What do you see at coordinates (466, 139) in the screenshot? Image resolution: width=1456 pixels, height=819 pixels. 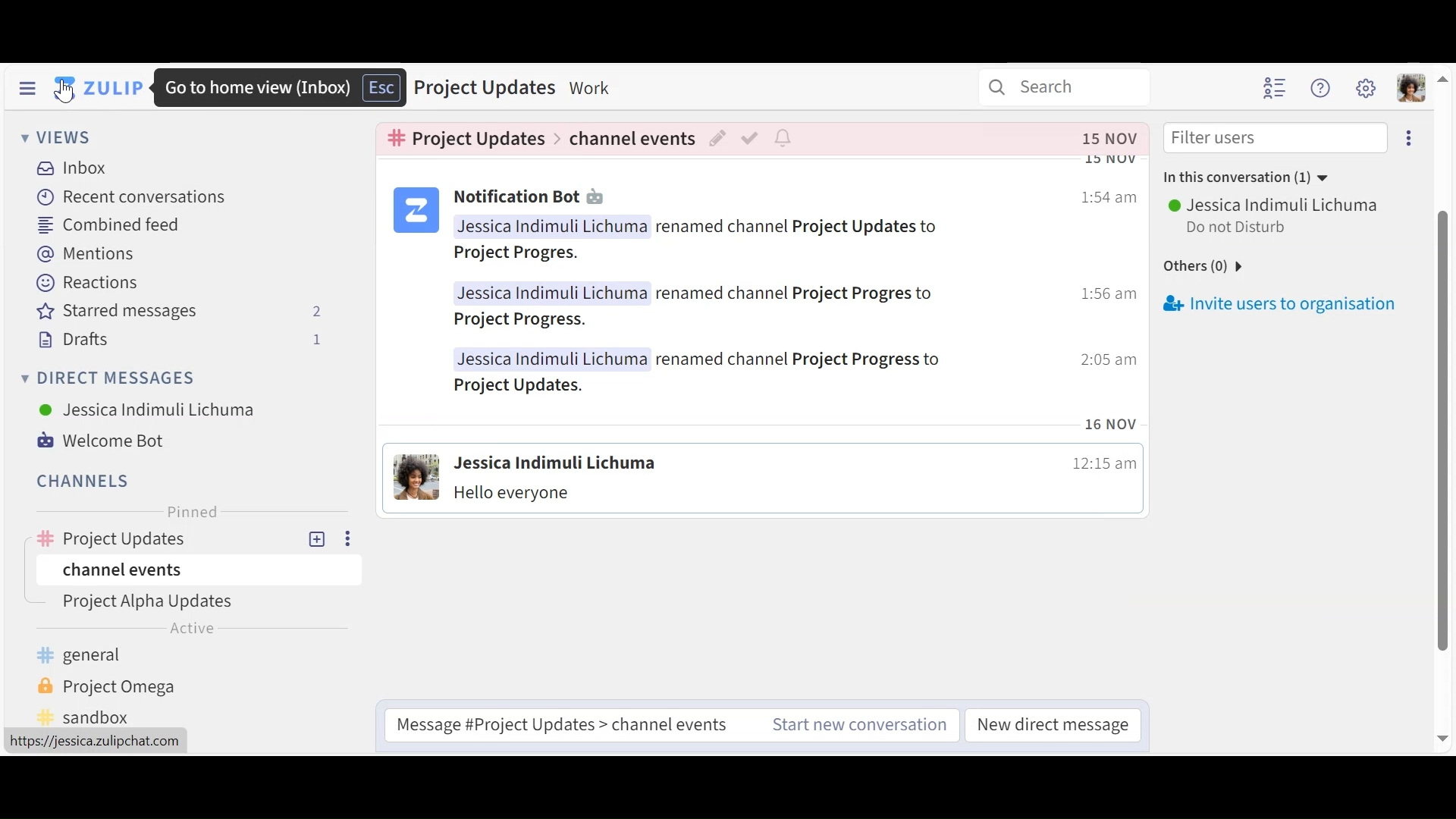 I see `# Project Updates` at bounding box center [466, 139].